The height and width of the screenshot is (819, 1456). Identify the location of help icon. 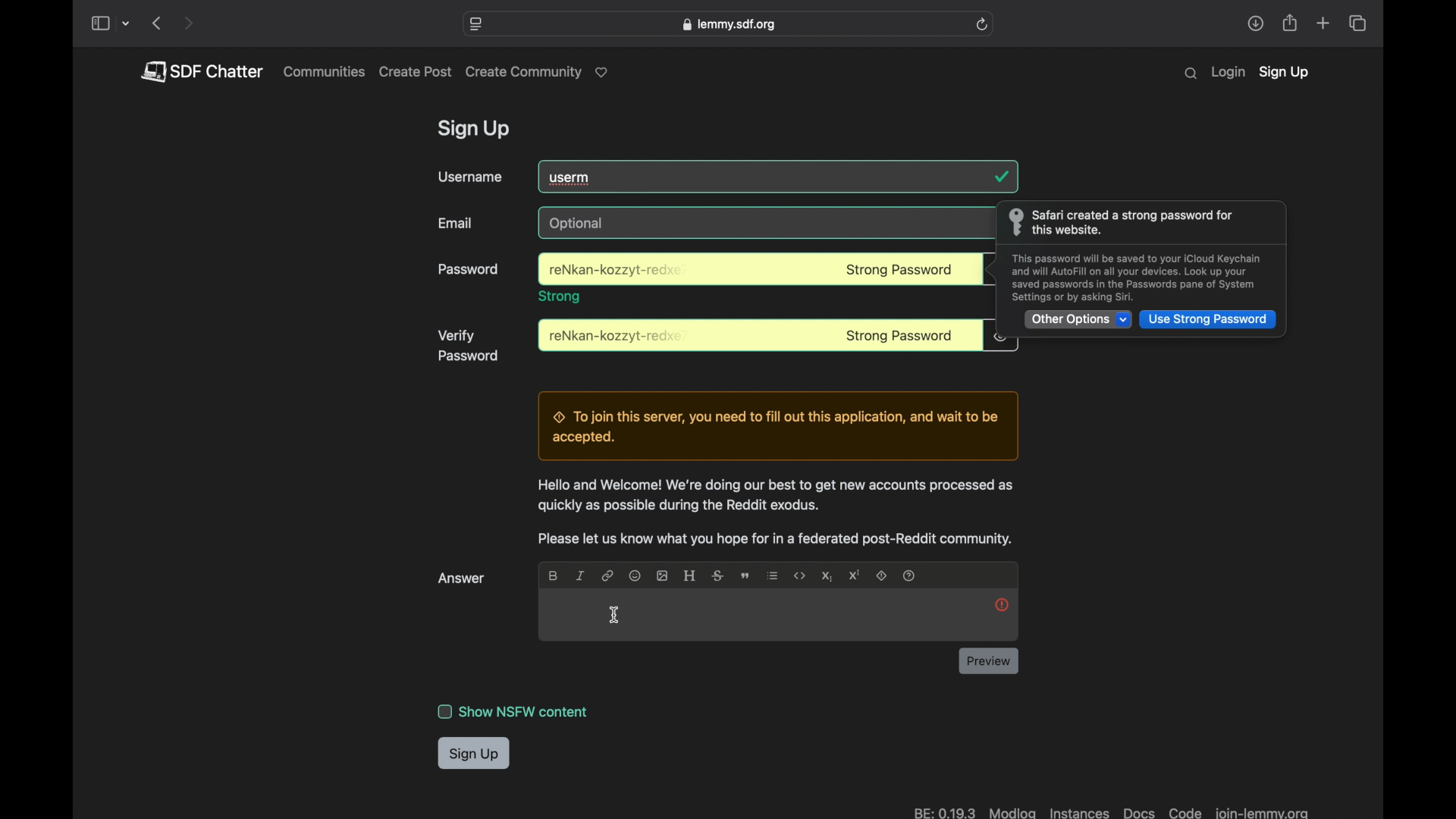
(1000, 604).